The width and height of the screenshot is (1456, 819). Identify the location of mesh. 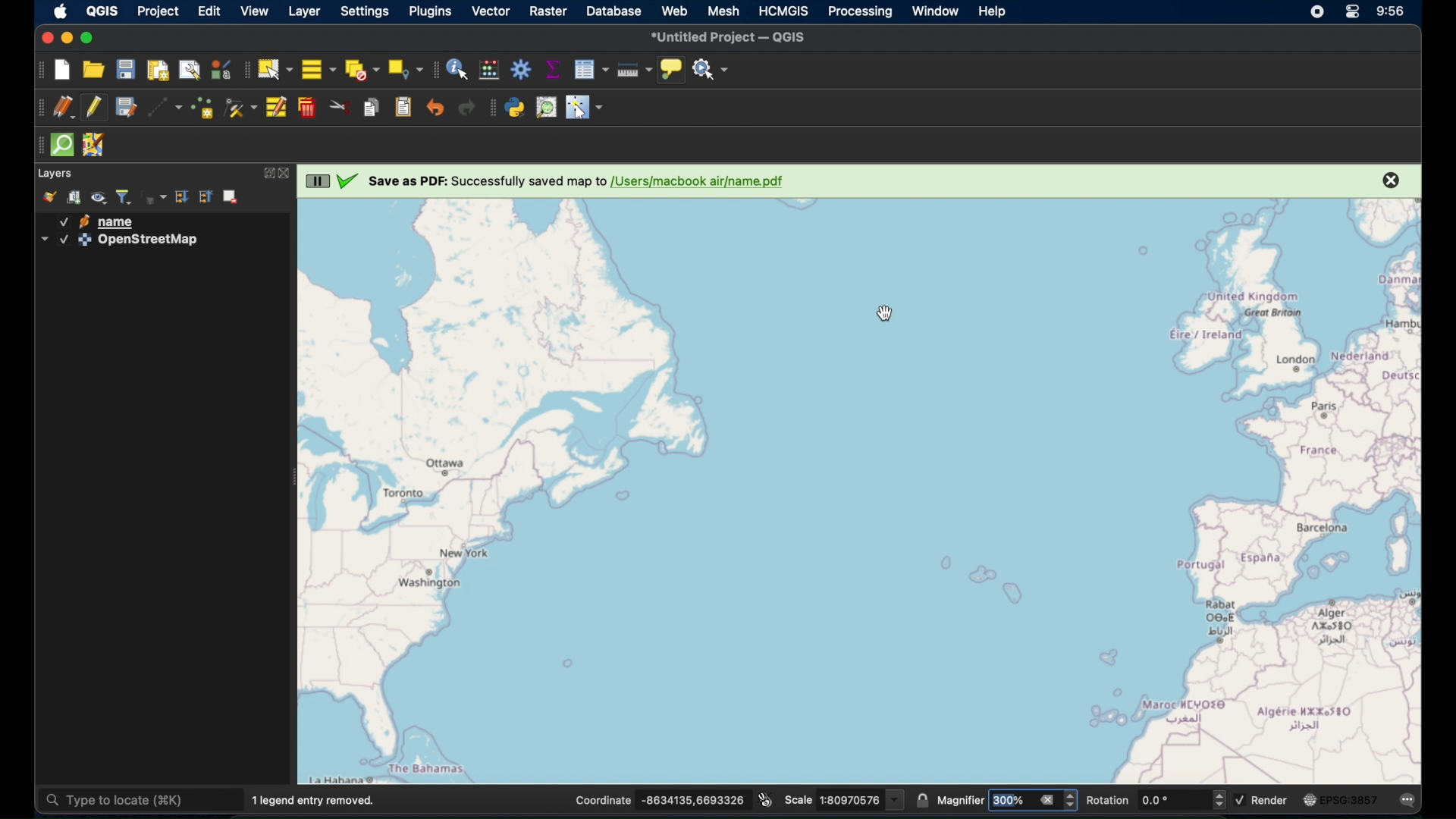
(723, 11).